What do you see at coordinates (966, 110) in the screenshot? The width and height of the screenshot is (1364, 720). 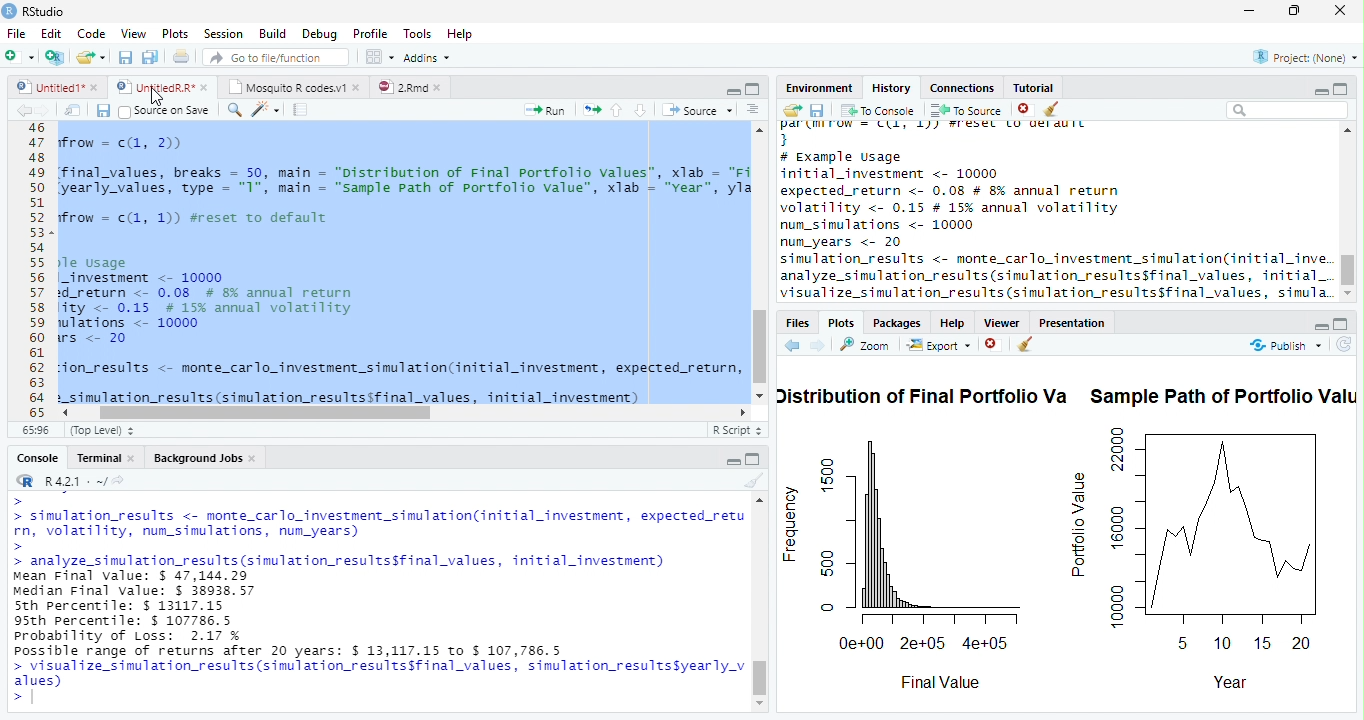 I see `To Source` at bounding box center [966, 110].